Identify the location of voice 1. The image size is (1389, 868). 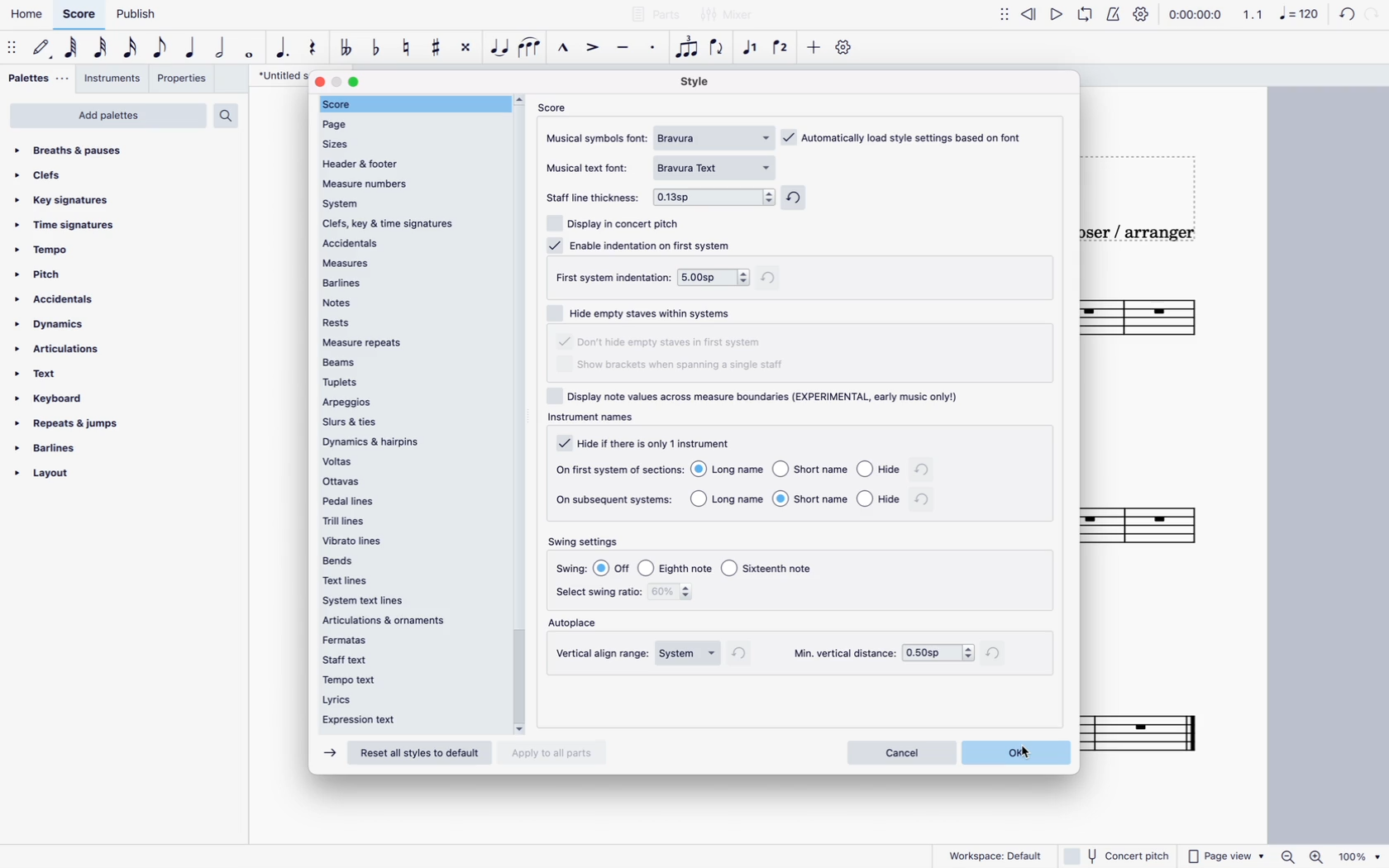
(748, 50).